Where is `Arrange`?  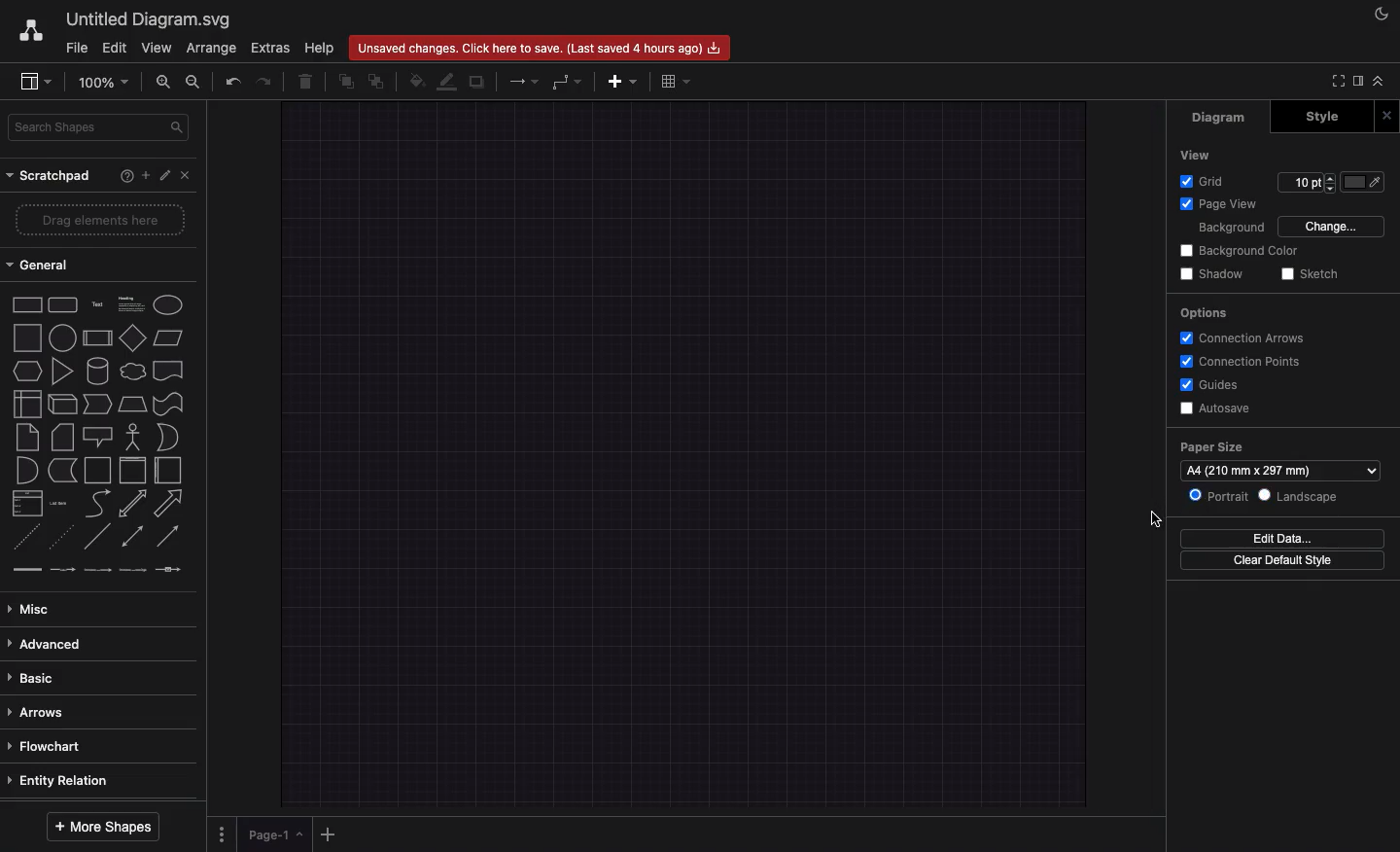 Arrange is located at coordinates (211, 50).